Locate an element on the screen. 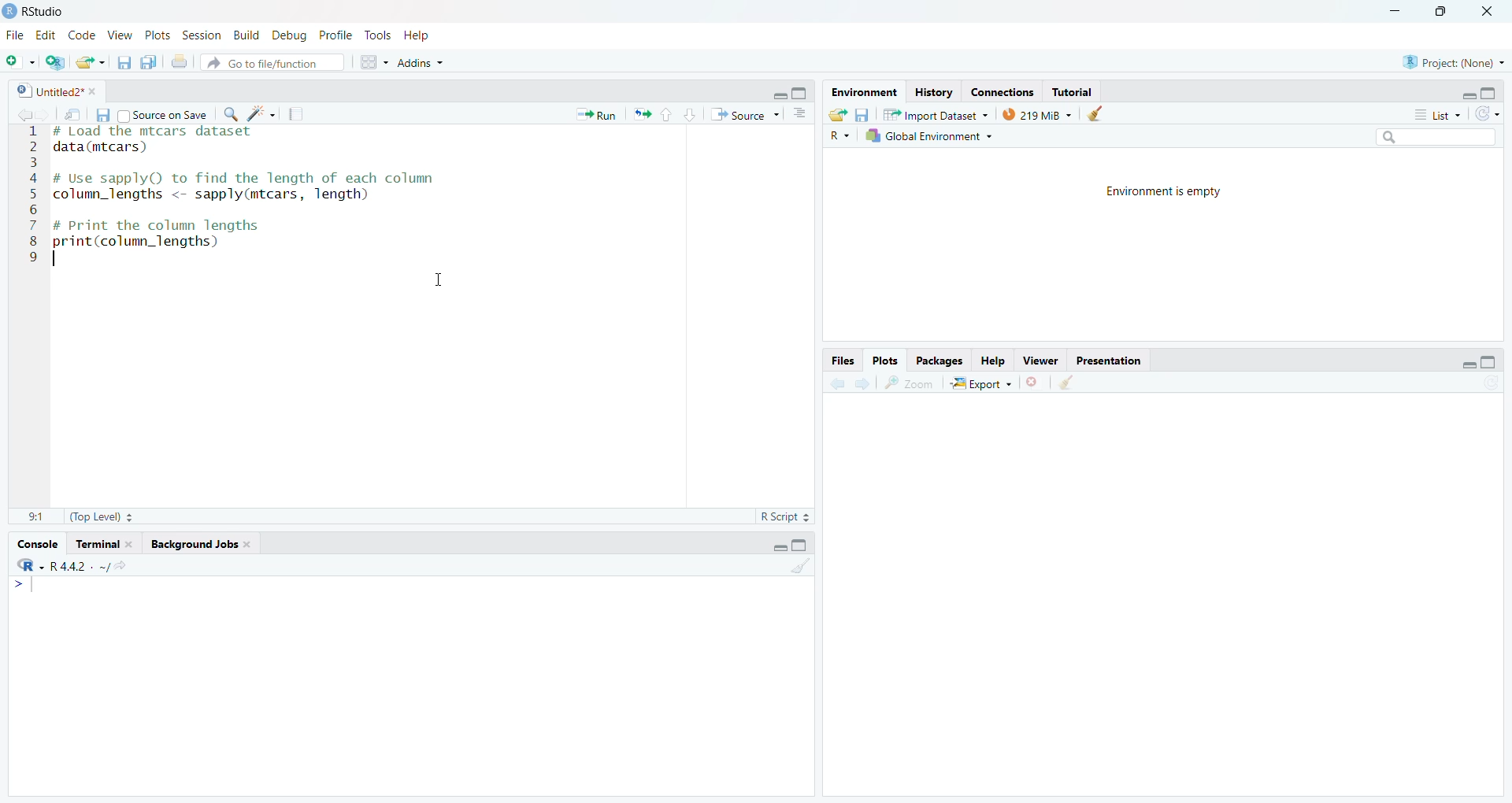  Print is located at coordinates (181, 61).